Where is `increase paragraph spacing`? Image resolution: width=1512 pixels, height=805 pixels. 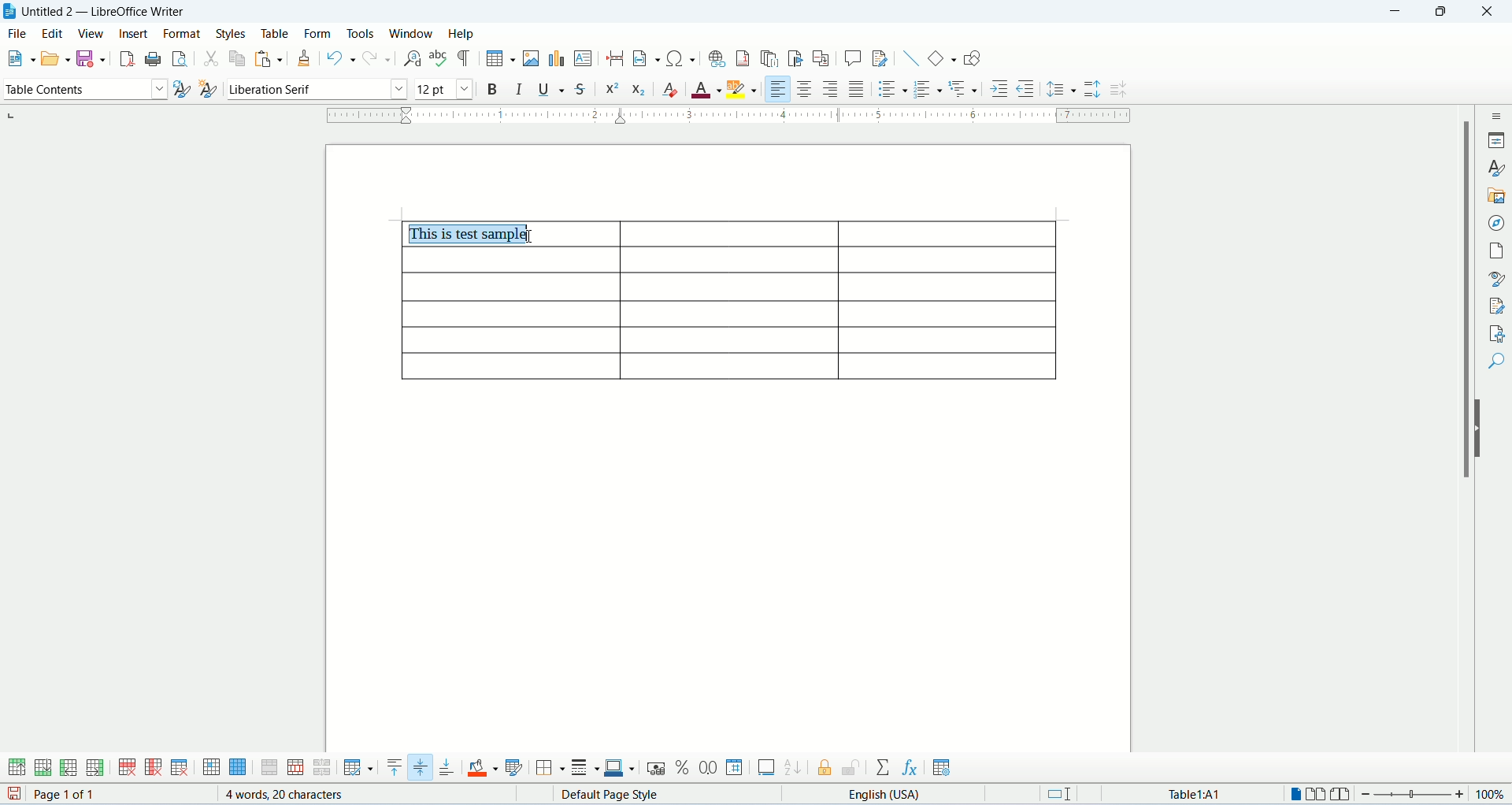 increase paragraph spacing is located at coordinates (1094, 90).